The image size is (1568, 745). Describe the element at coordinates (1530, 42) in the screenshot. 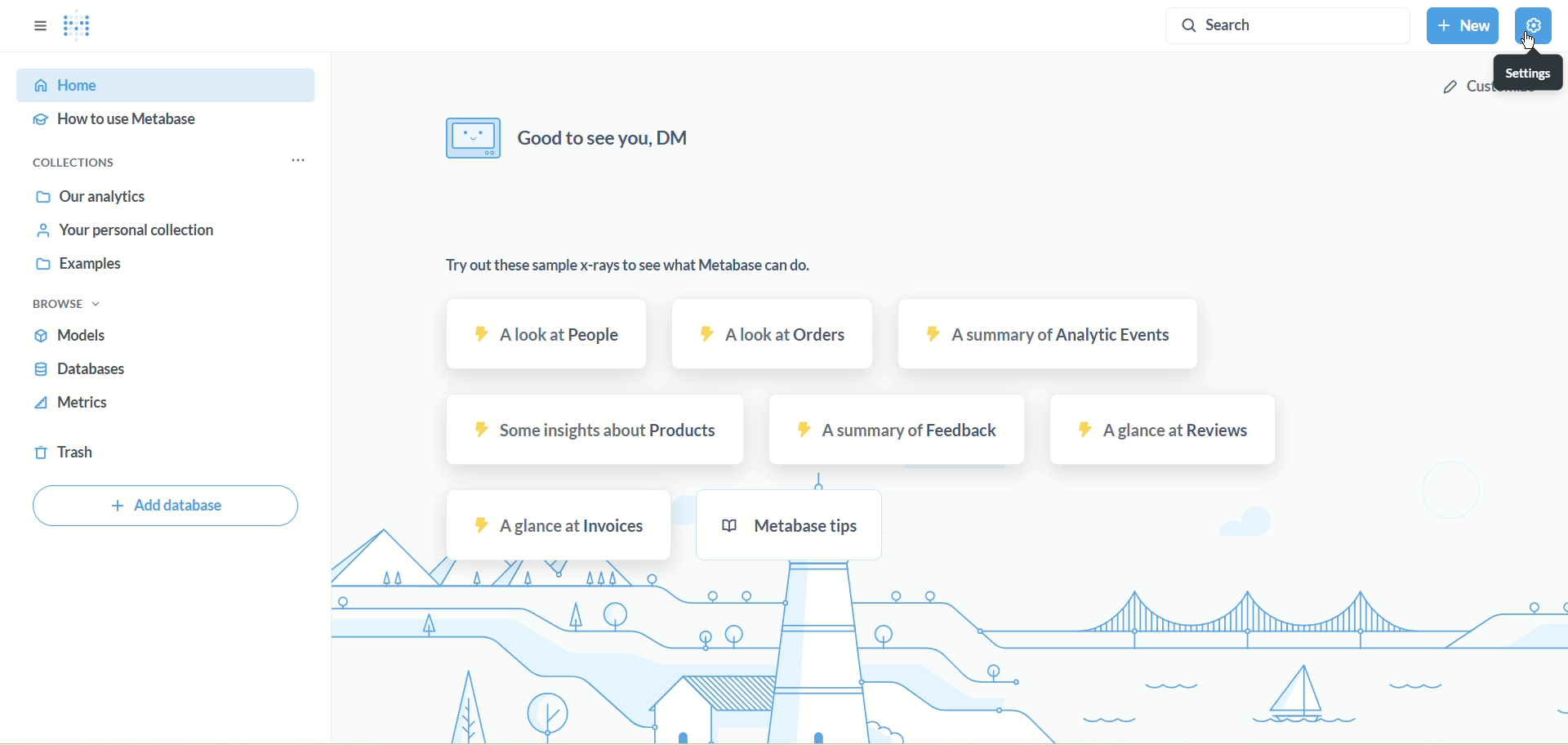

I see `cursor` at that location.